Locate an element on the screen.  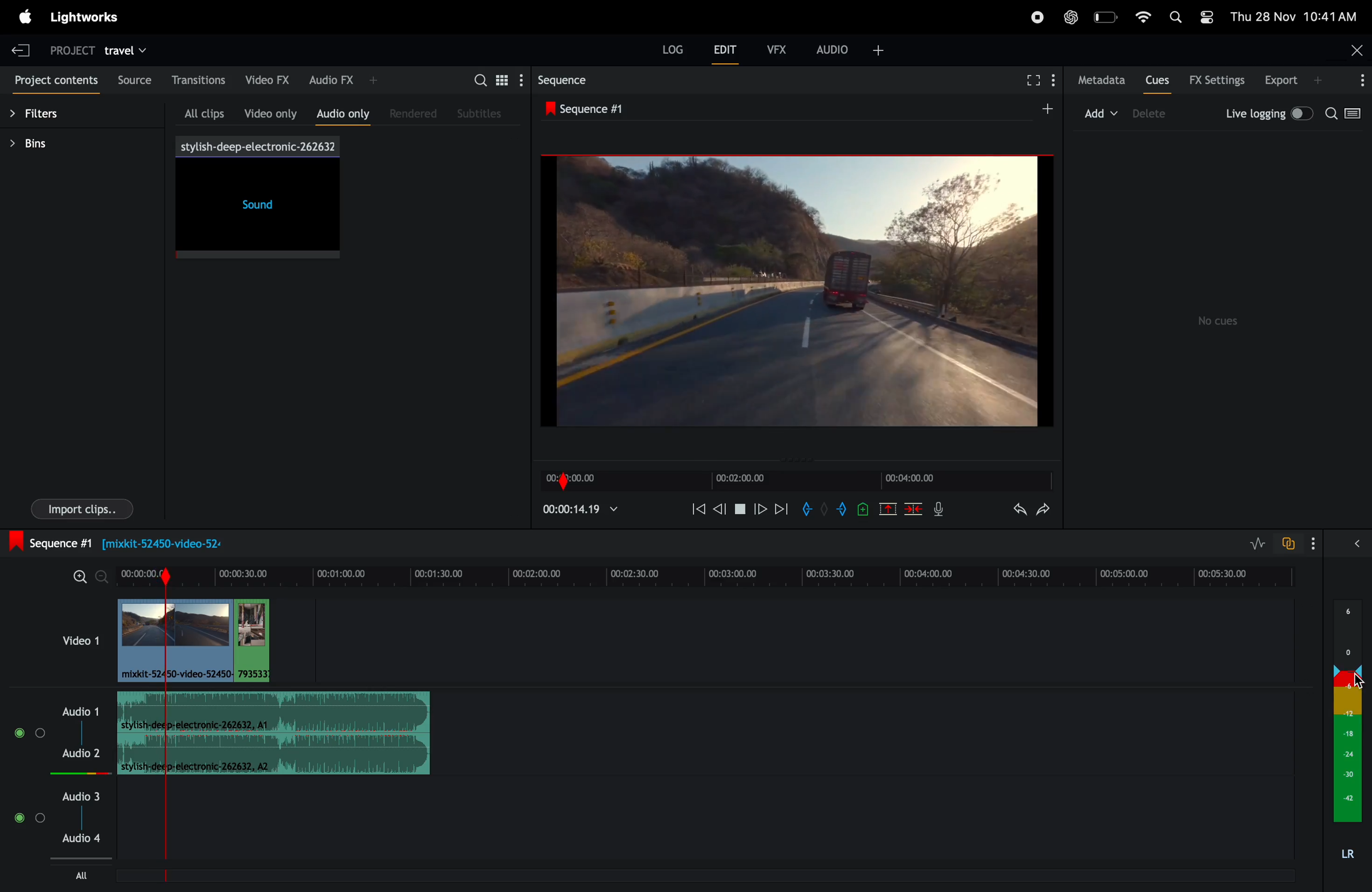
toggle editing layers is located at coordinates (1257, 543).